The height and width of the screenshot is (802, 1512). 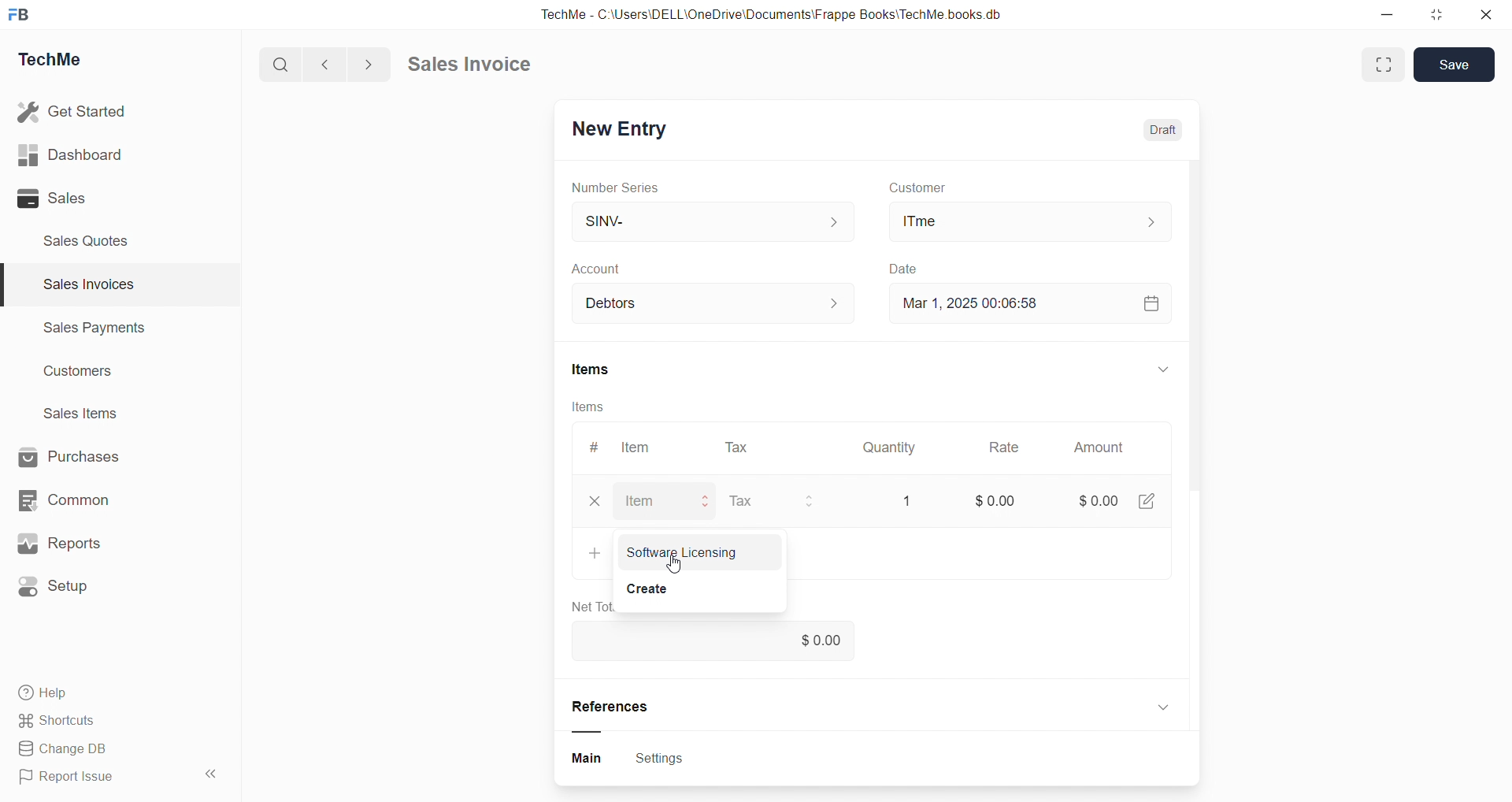 I want to click on @ Setup, so click(x=62, y=592).